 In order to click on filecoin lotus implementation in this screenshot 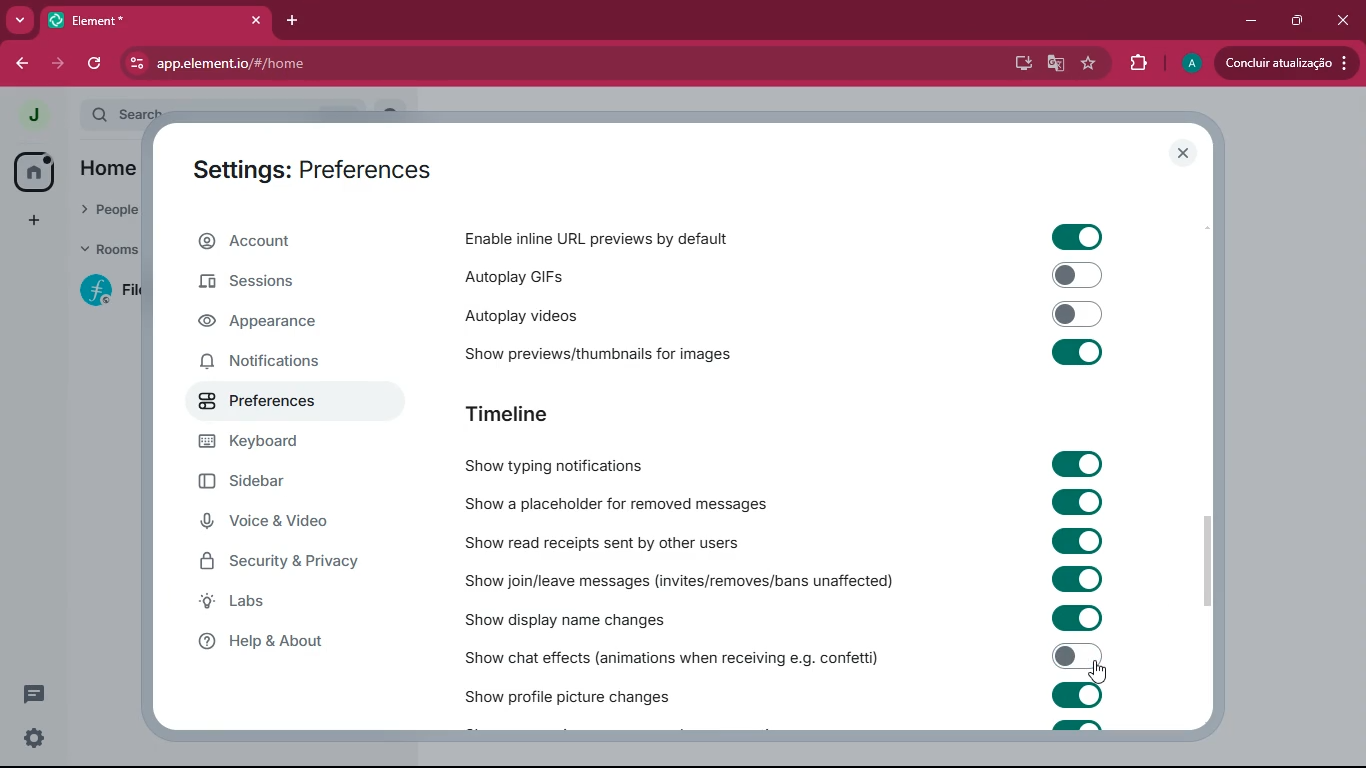, I will do `click(107, 290)`.